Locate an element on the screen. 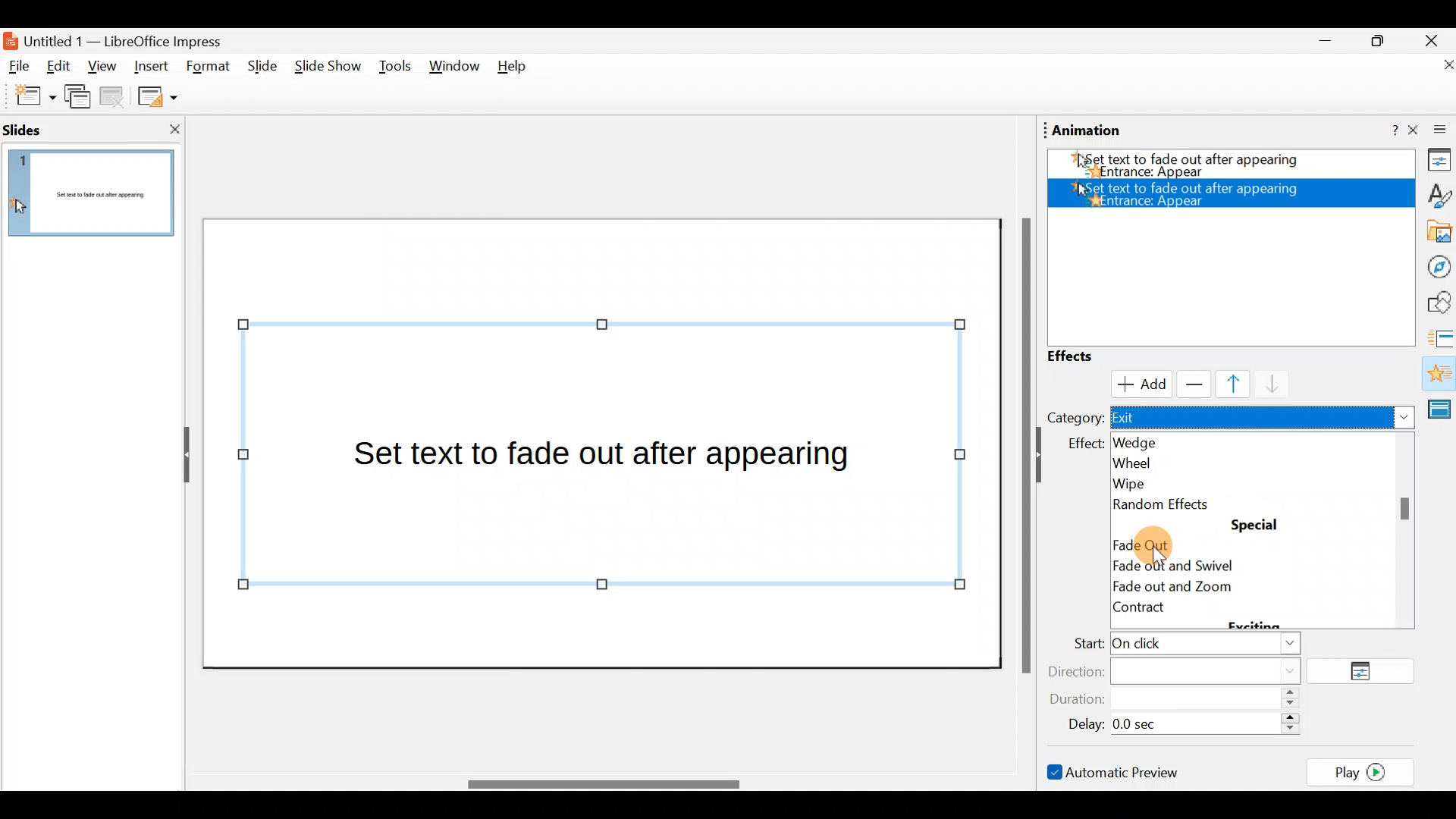 Image resolution: width=1456 pixels, height=819 pixels. View is located at coordinates (102, 71).